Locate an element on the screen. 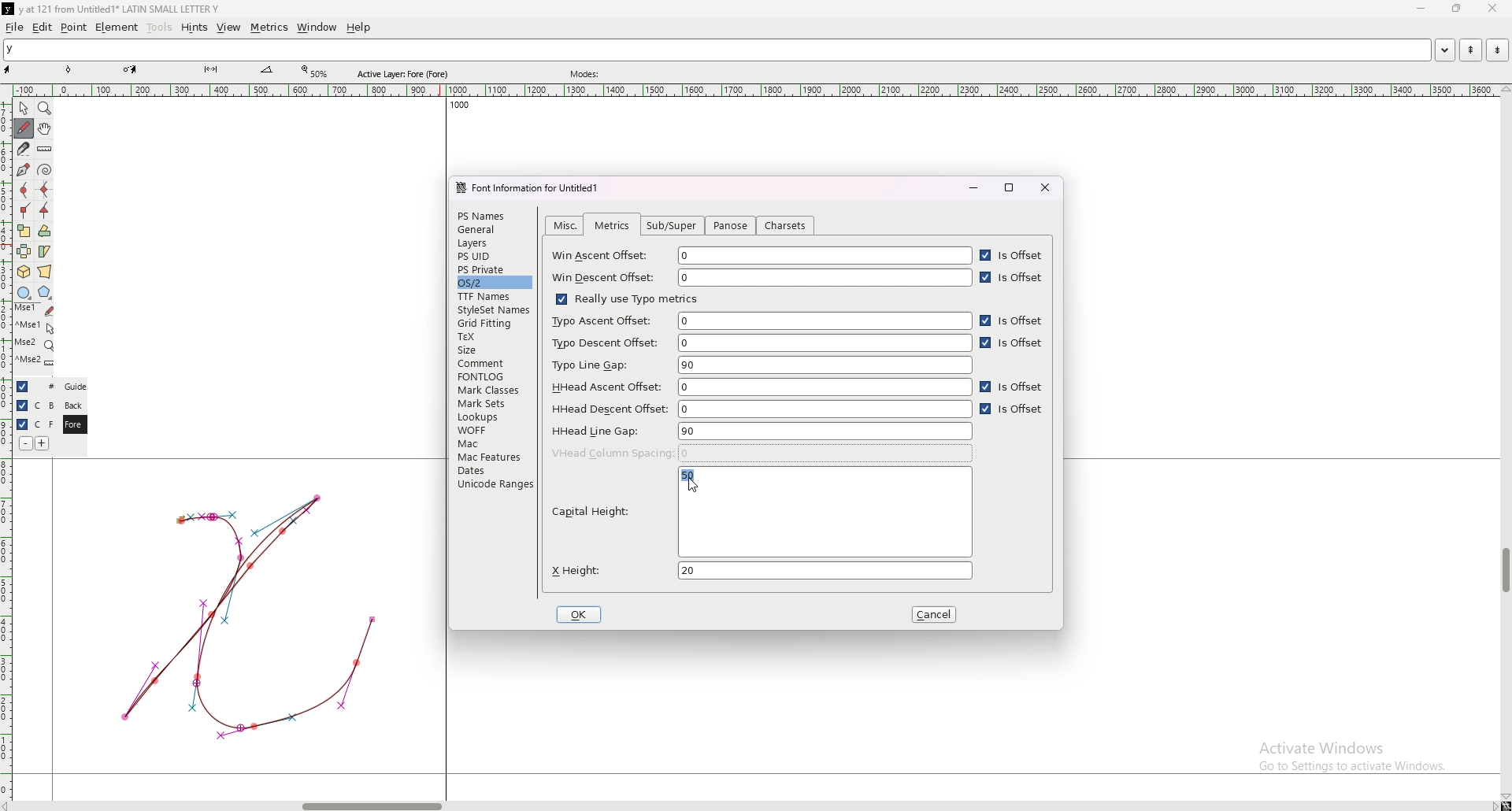  scale the selection is located at coordinates (24, 231).